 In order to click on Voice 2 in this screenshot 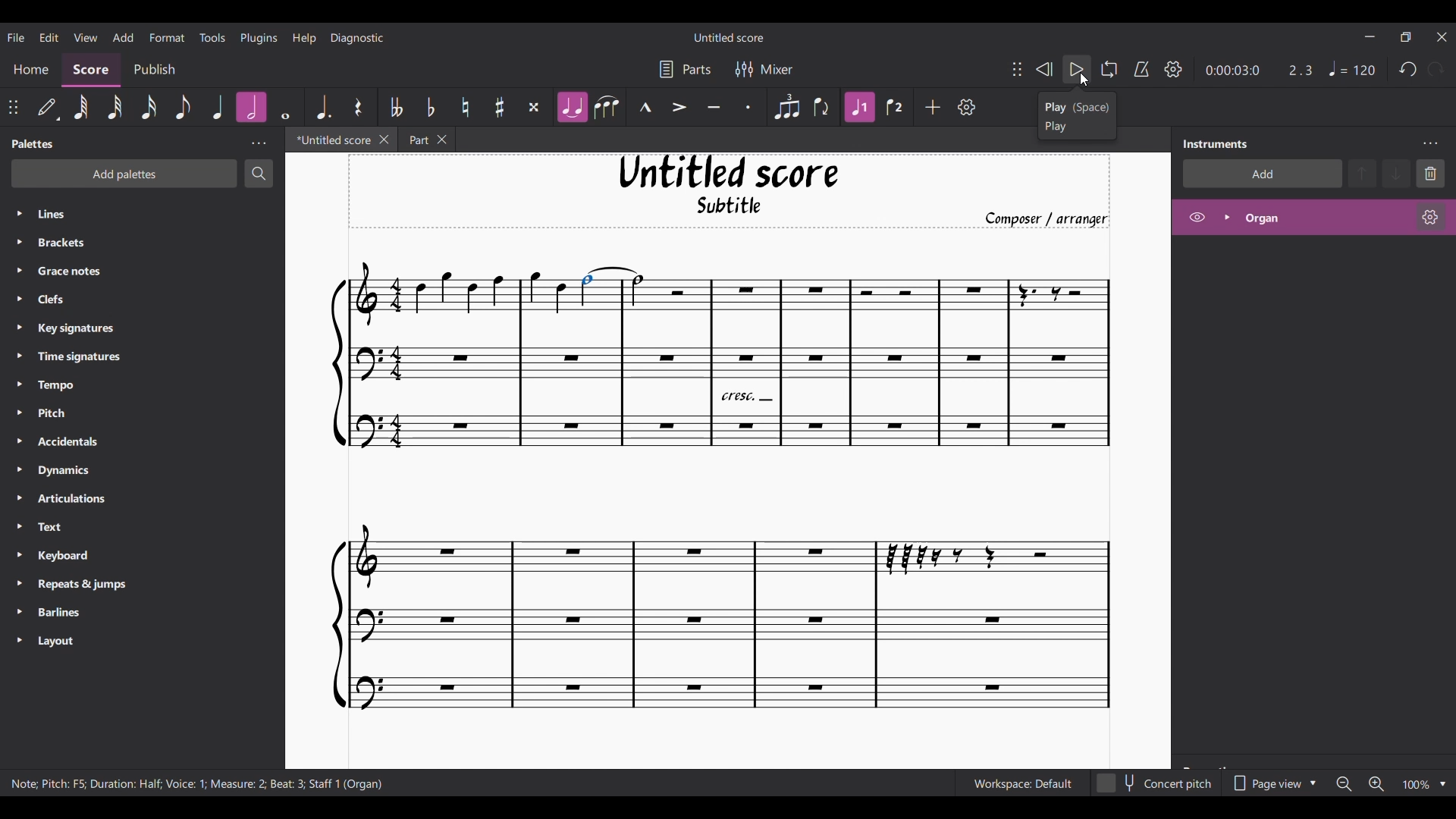, I will do `click(895, 107)`.